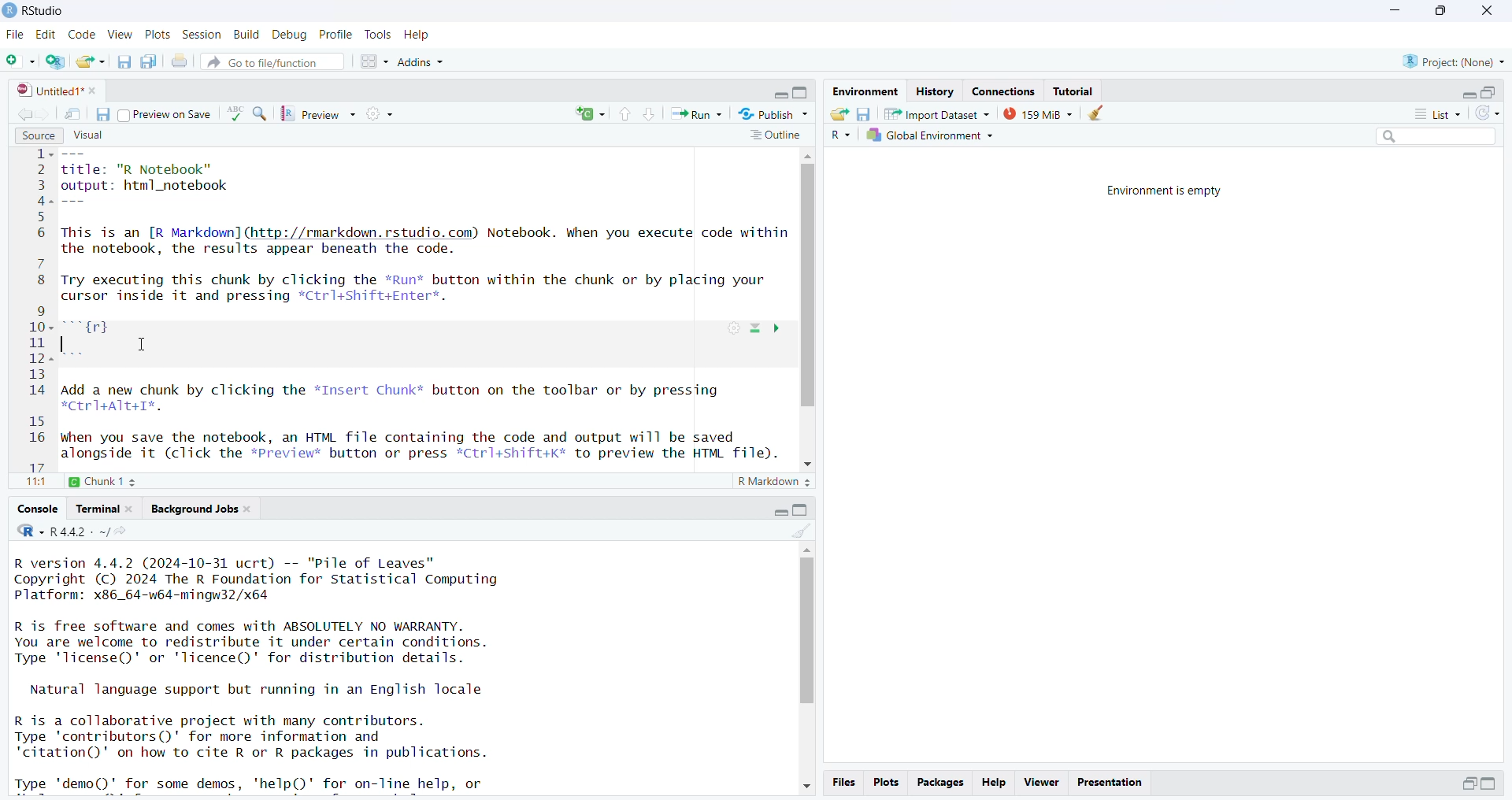  Describe the element at coordinates (941, 782) in the screenshot. I see `packages` at that location.